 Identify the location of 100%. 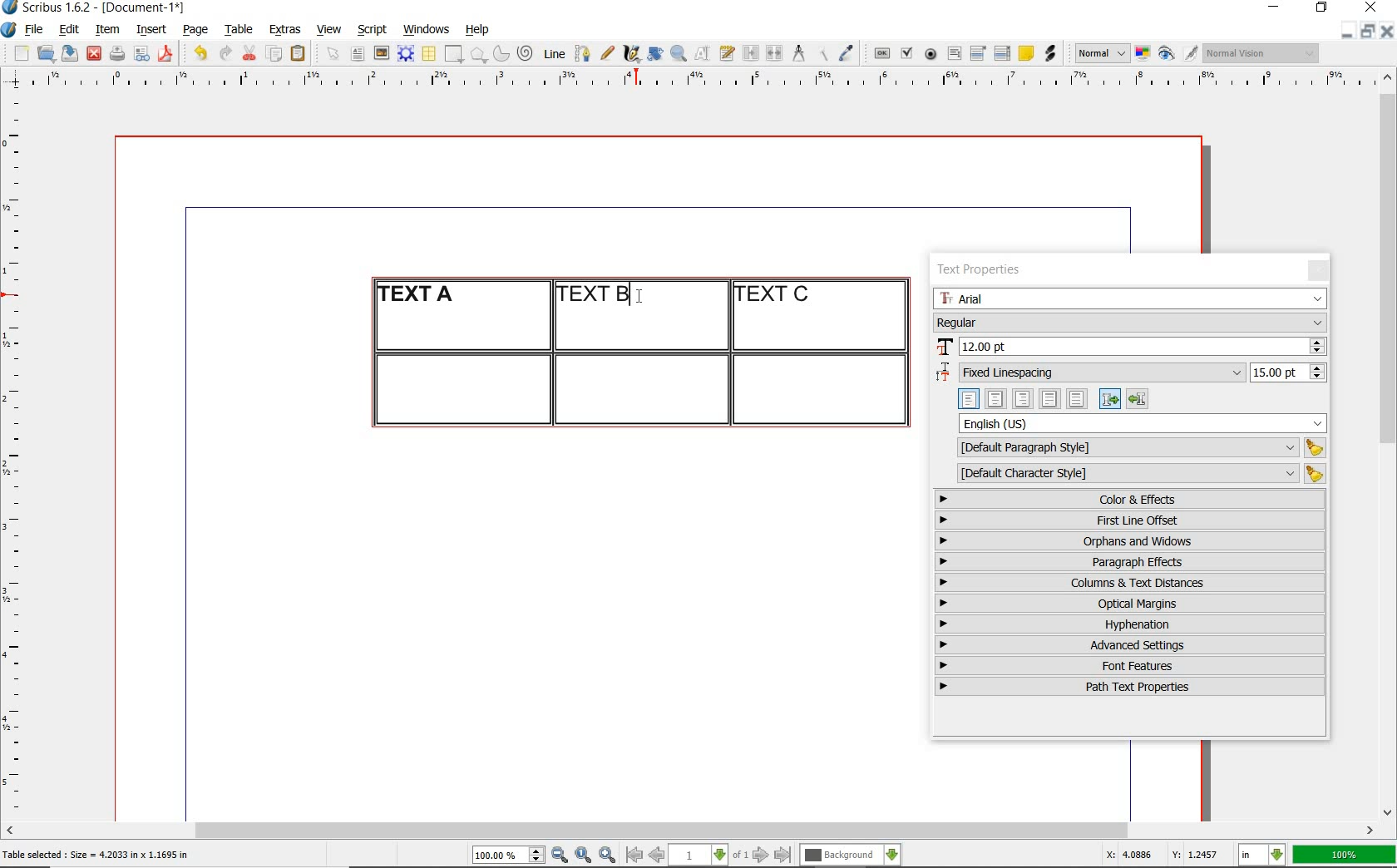
(1345, 855).